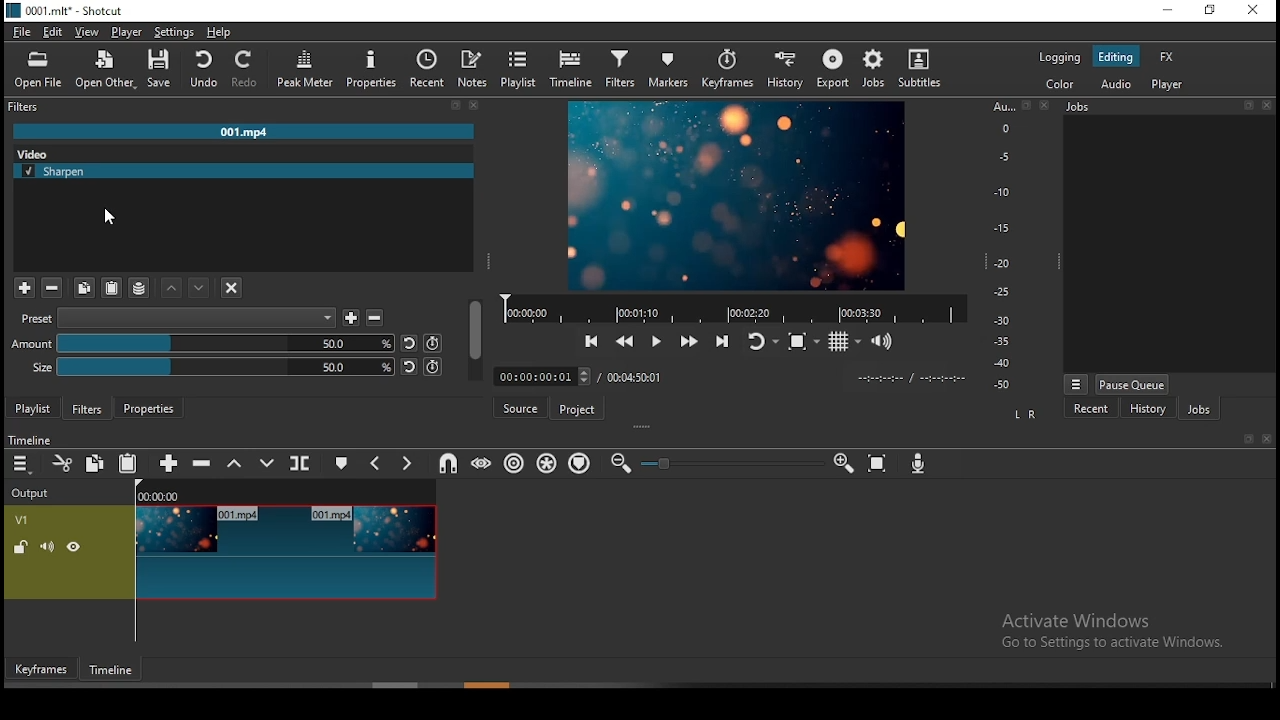 The image size is (1280, 720). Describe the element at coordinates (918, 463) in the screenshot. I see `record audio` at that location.